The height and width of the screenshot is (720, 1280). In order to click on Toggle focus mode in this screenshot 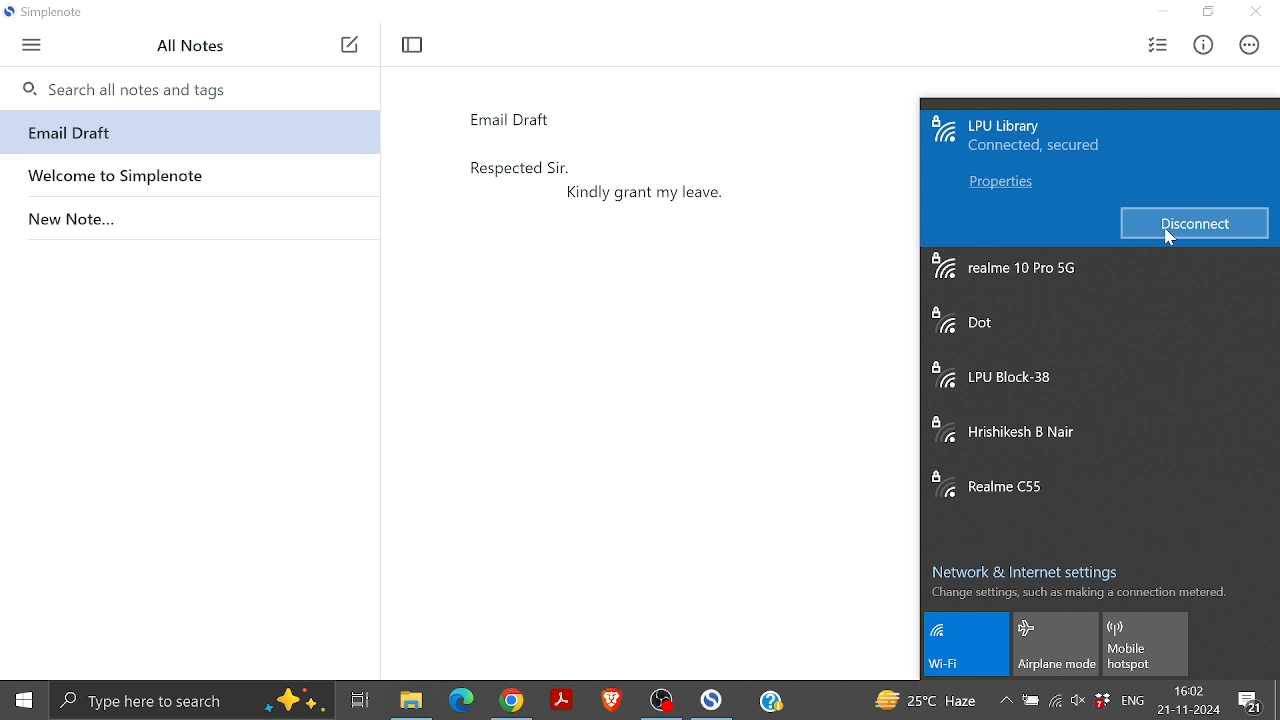, I will do `click(414, 45)`.